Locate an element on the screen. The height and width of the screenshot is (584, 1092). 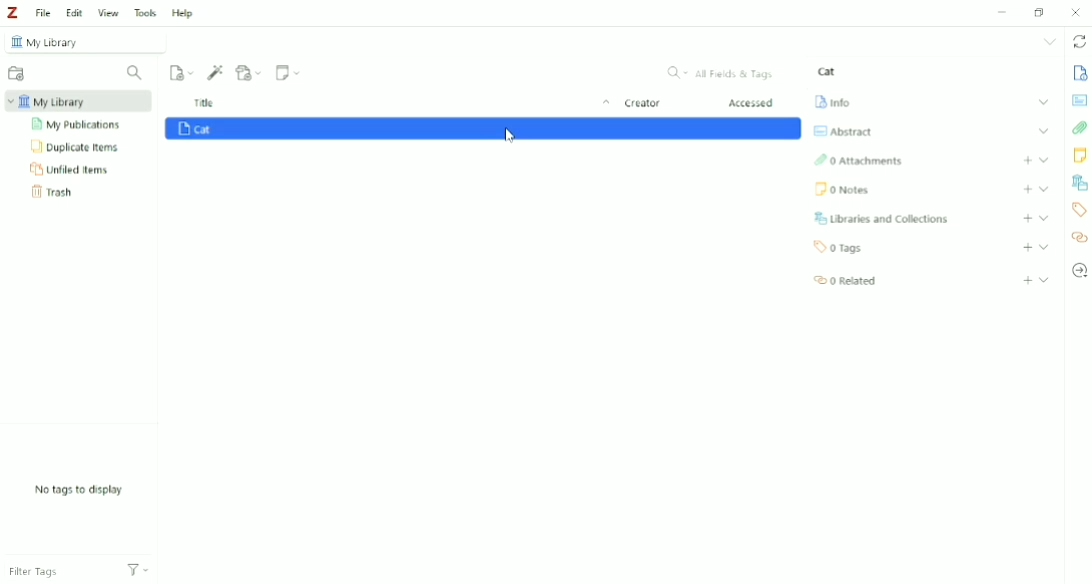
Add is located at coordinates (1027, 218).